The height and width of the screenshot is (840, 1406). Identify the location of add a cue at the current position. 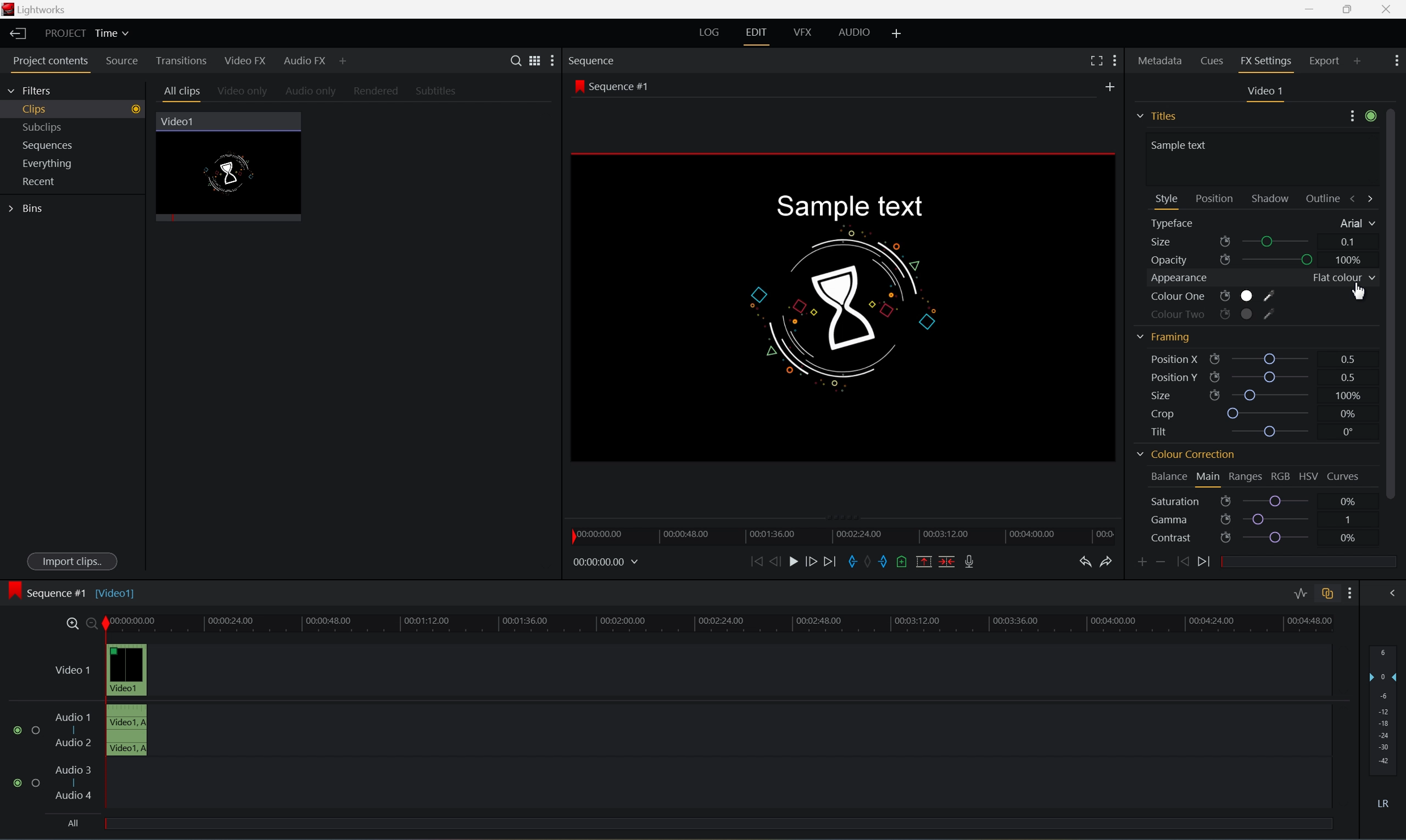
(906, 563).